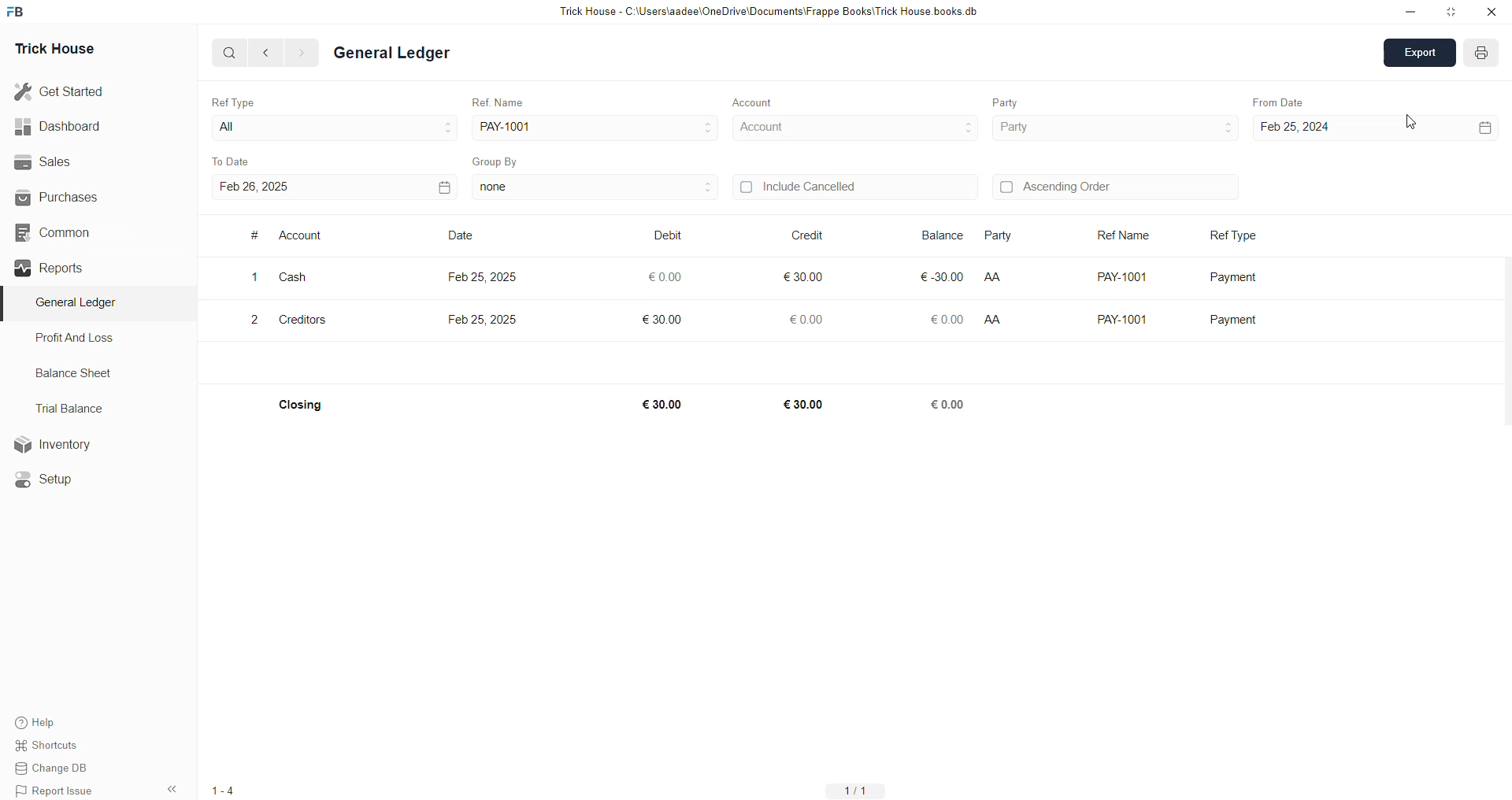 The image size is (1512, 800). What do you see at coordinates (1237, 233) in the screenshot?
I see `Ref Type` at bounding box center [1237, 233].